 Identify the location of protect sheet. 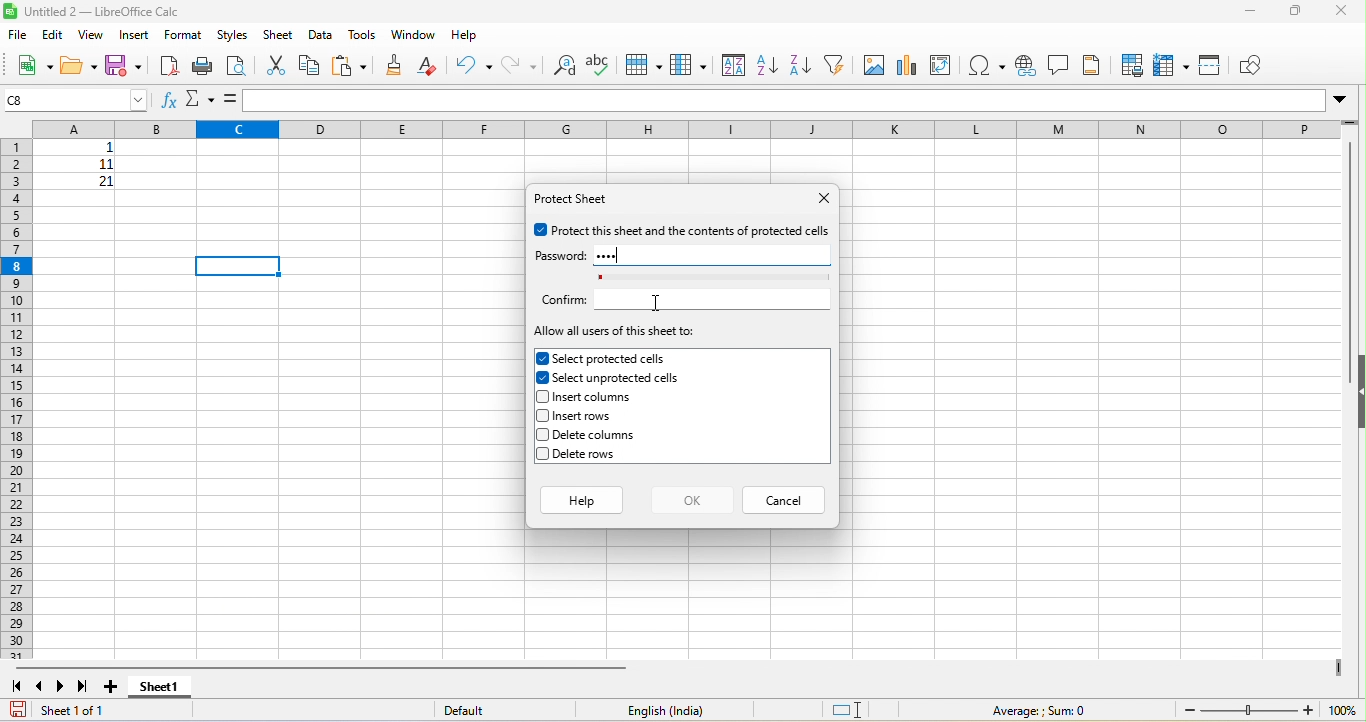
(578, 201).